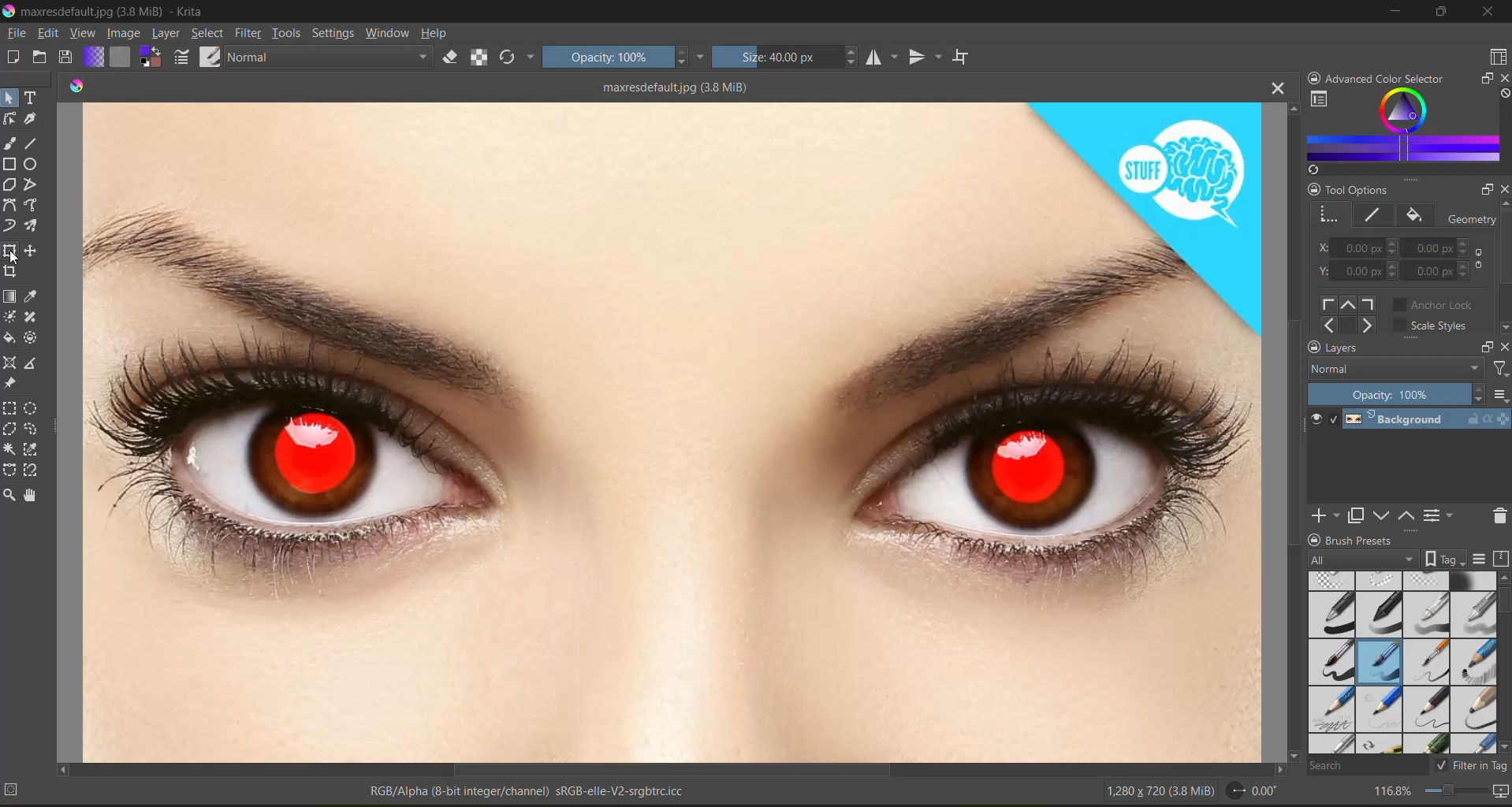 The width and height of the screenshot is (1512, 807). Describe the element at coordinates (1503, 660) in the screenshot. I see `vertical scroll bar` at that location.